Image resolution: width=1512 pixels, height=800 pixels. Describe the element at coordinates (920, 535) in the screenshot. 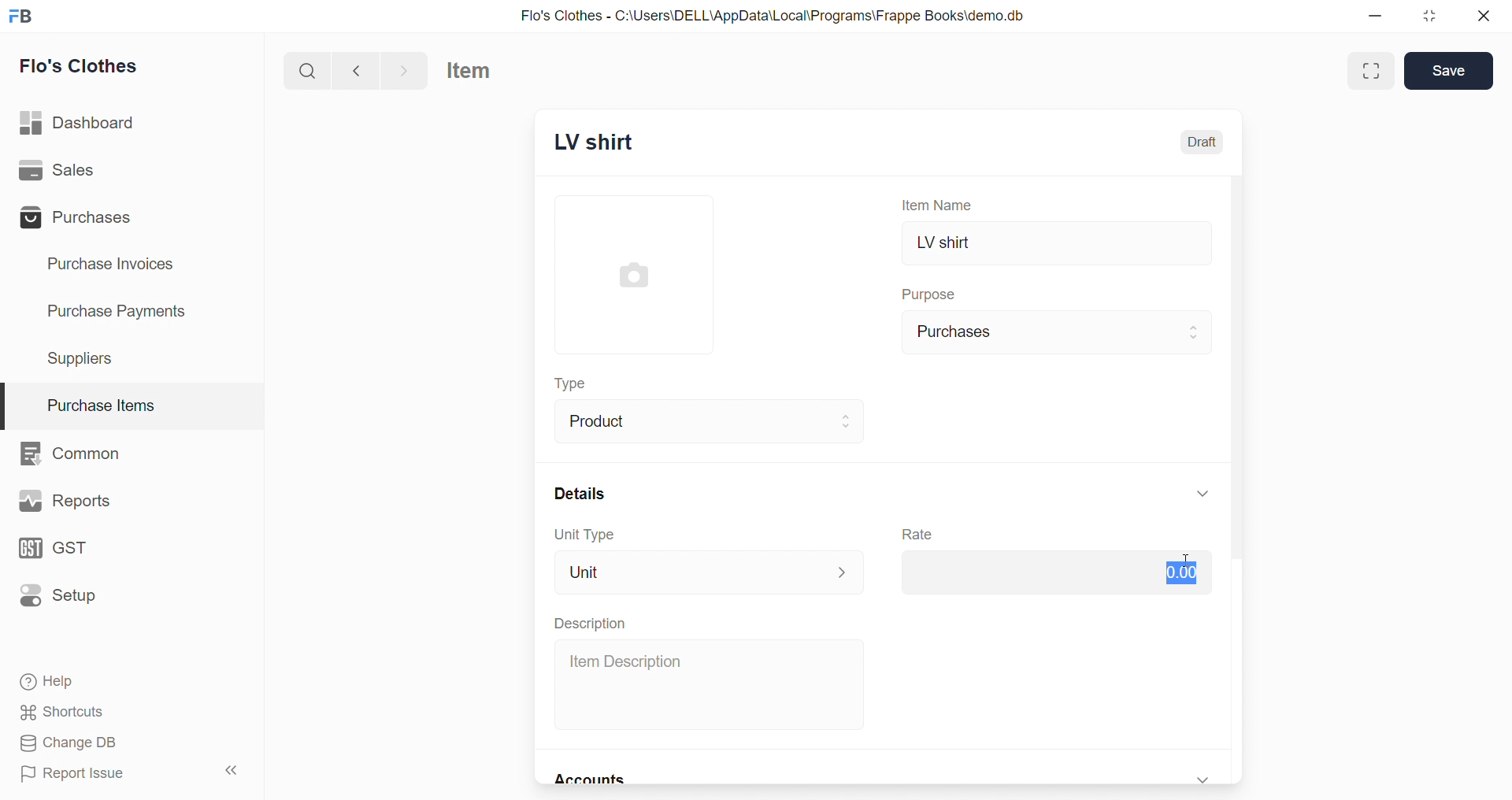

I see `Rate` at that location.